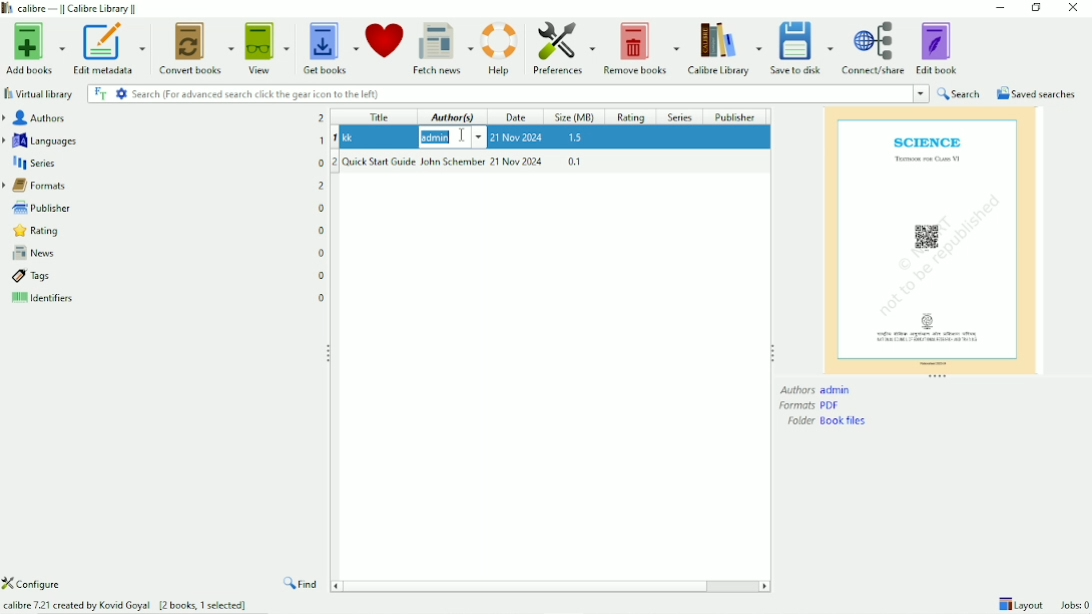 The image size is (1092, 614). I want to click on News, so click(166, 254).